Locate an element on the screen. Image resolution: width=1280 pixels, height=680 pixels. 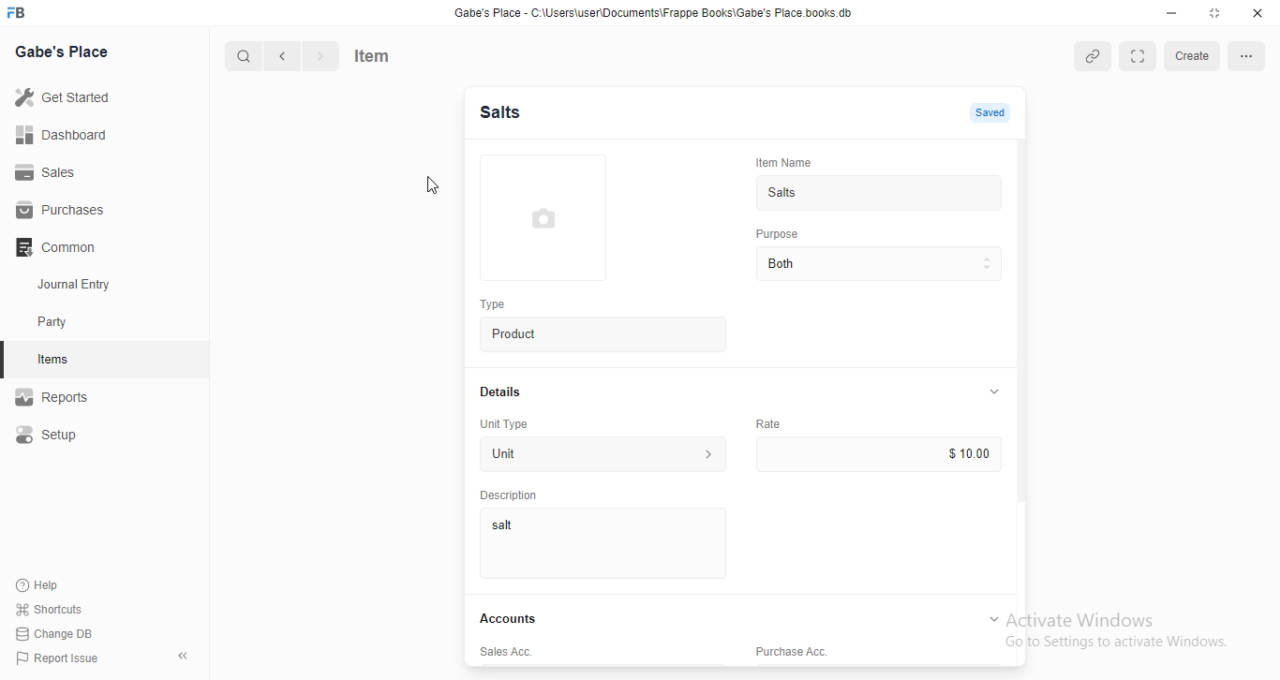
Dashboard is located at coordinates (65, 135).